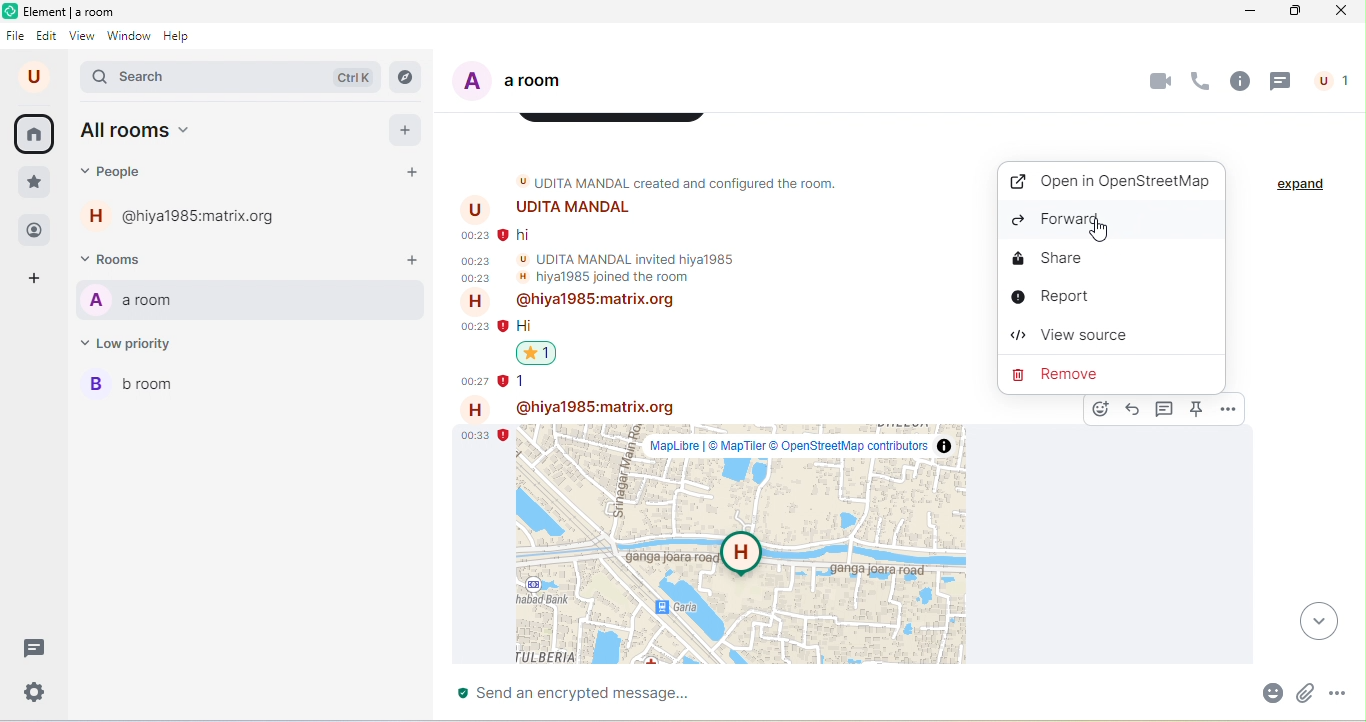 The width and height of the screenshot is (1366, 722). Describe the element at coordinates (1290, 11) in the screenshot. I see `maximize` at that location.